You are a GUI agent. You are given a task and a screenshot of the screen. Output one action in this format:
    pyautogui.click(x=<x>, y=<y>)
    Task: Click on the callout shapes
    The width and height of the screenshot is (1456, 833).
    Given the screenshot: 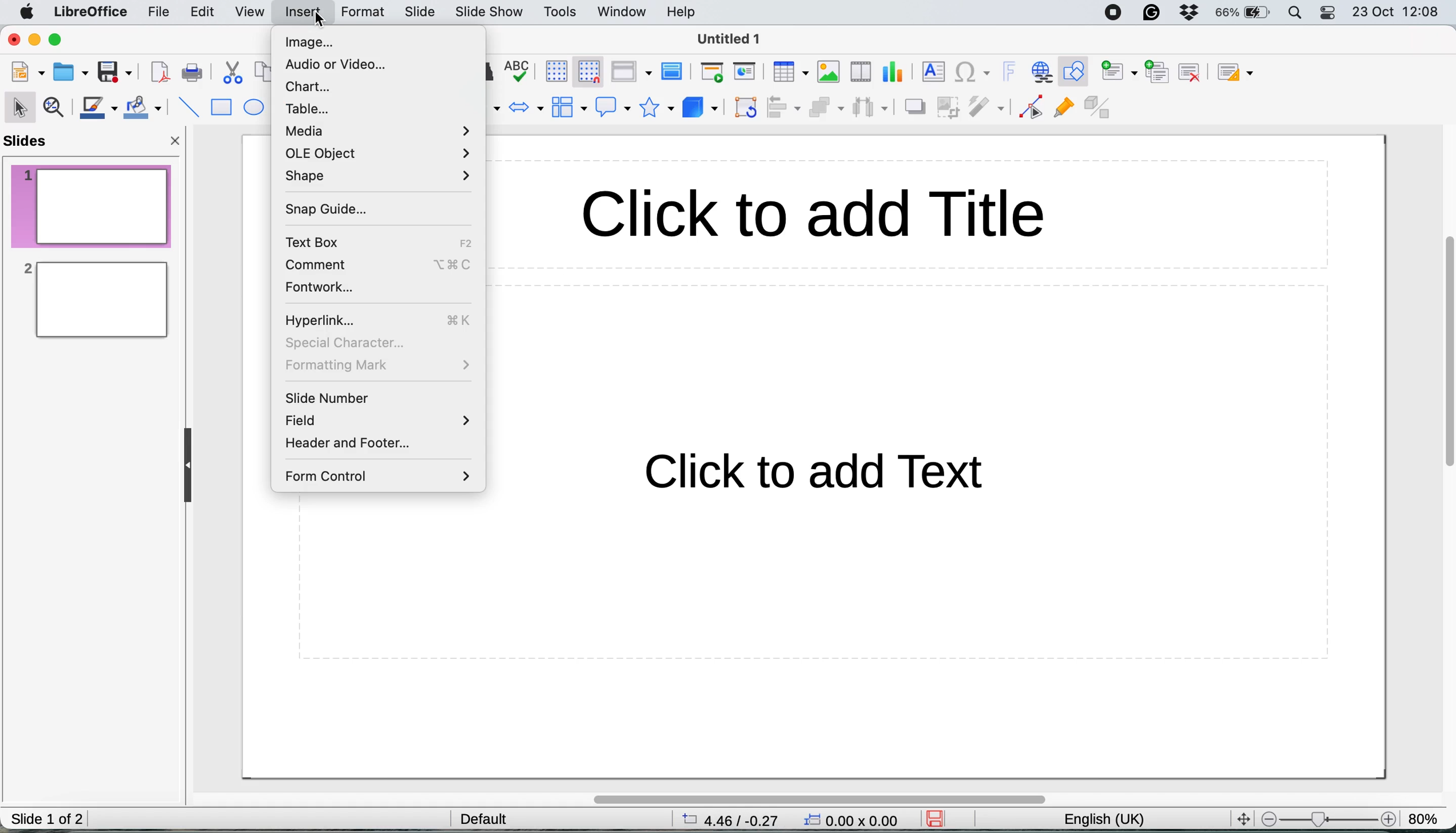 What is the action you would take?
    pyautogui.click(x=609, y=106)
    